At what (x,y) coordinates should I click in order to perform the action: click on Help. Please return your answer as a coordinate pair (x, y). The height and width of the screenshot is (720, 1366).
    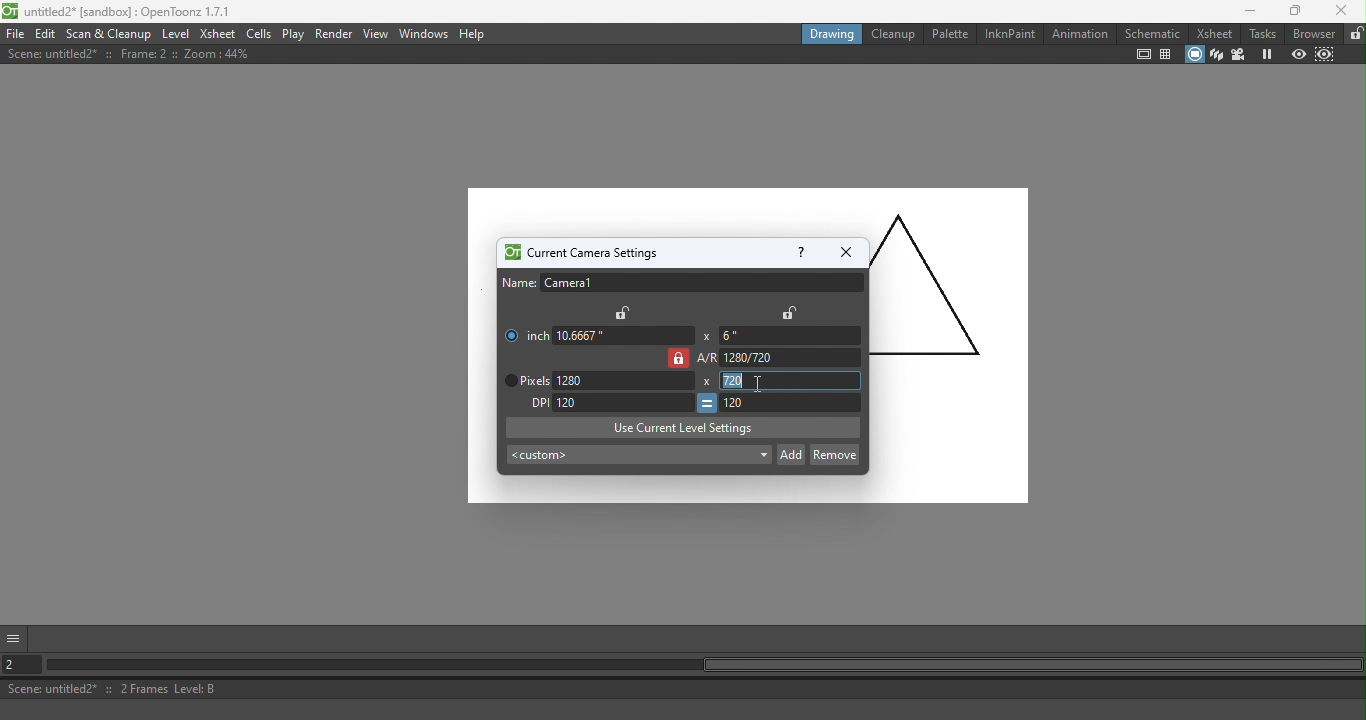
    Looking at the image, I should click on (474, 34).